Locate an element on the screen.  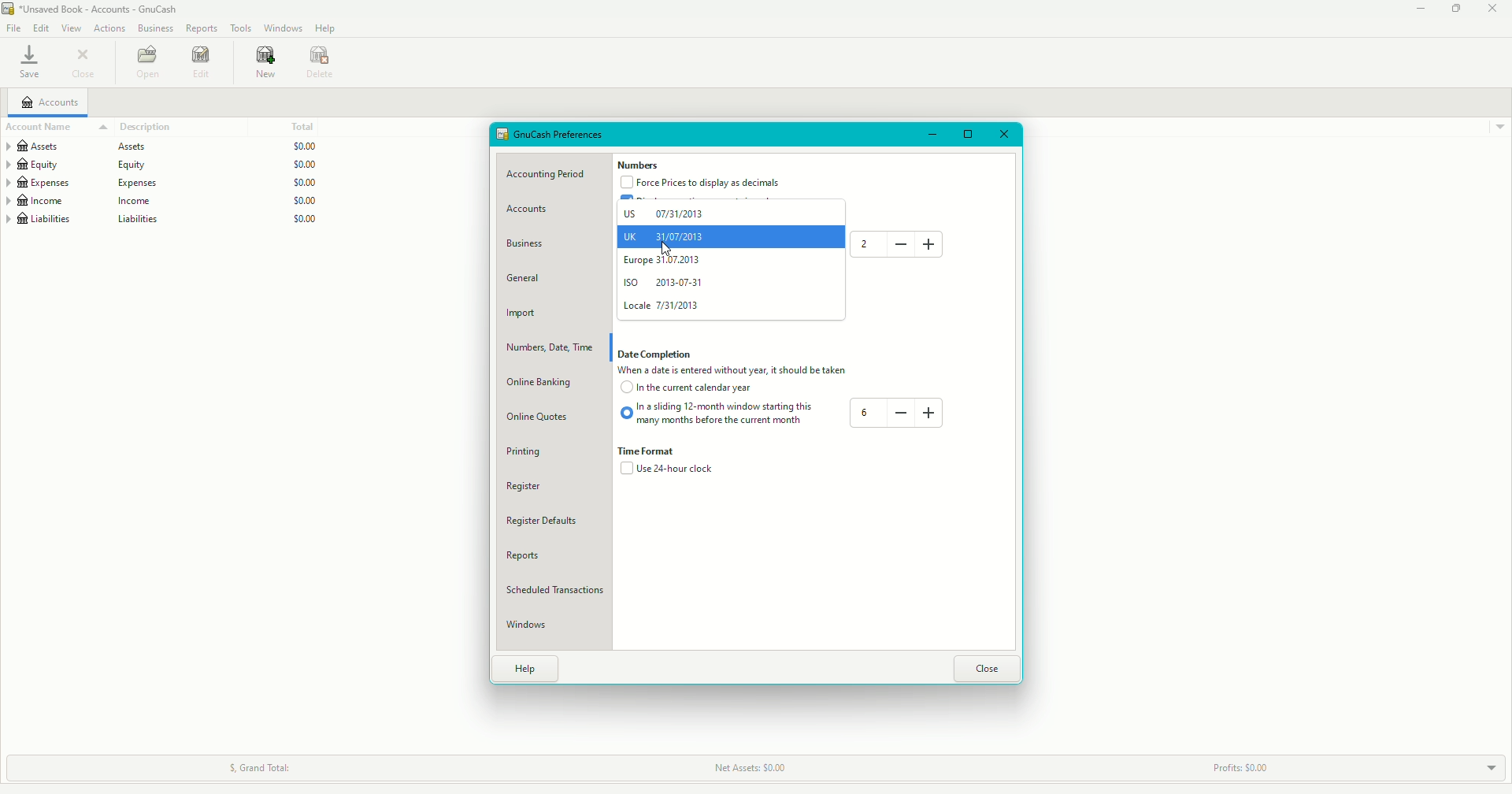
Assets is located at coordinates (165, 147).